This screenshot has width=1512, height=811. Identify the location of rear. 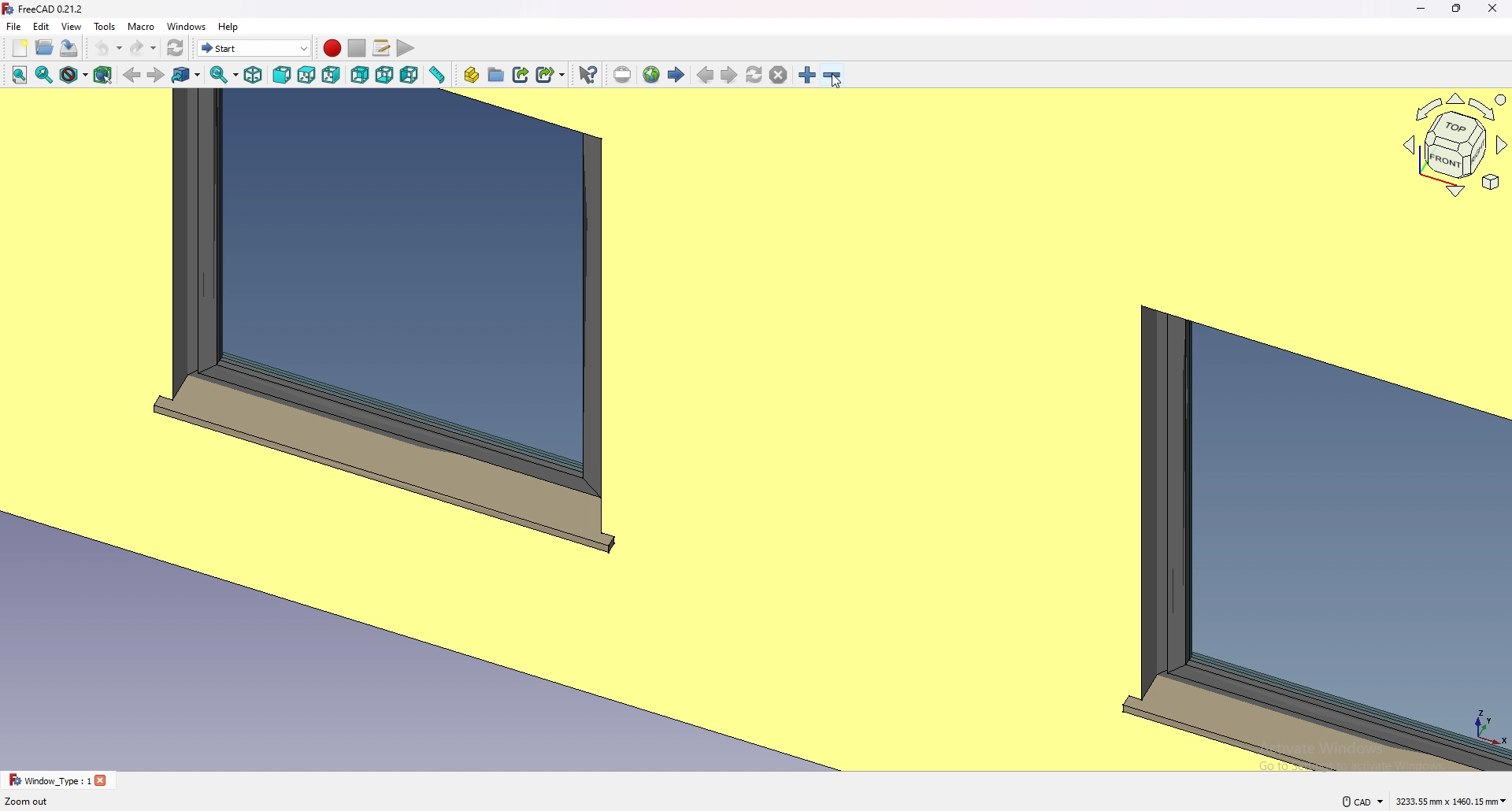
(359, 76).